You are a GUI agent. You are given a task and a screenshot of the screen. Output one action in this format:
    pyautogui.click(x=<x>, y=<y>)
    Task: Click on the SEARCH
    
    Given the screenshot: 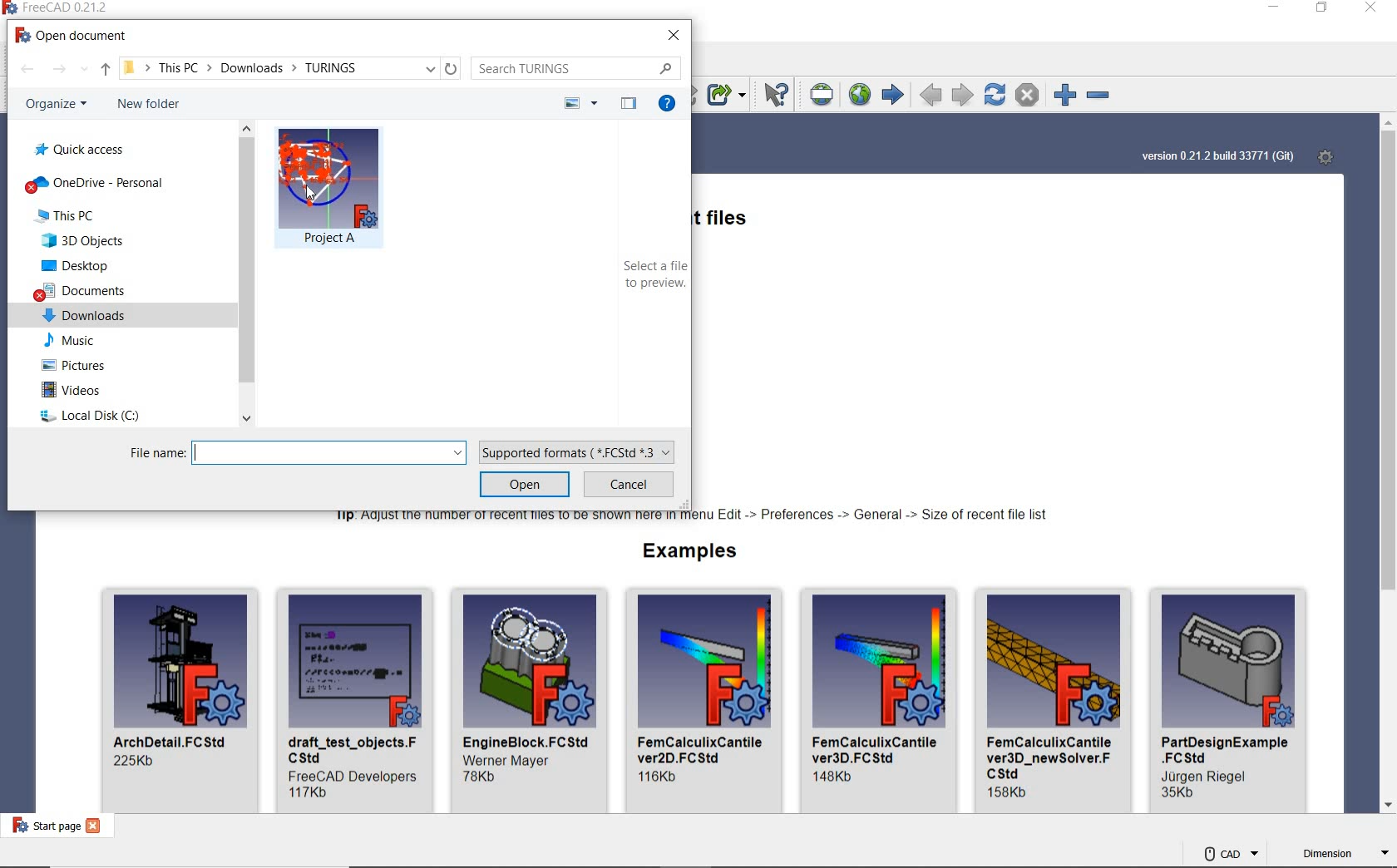 What is the action you would take?
    pyautogui.click(x=579, y=69)
    